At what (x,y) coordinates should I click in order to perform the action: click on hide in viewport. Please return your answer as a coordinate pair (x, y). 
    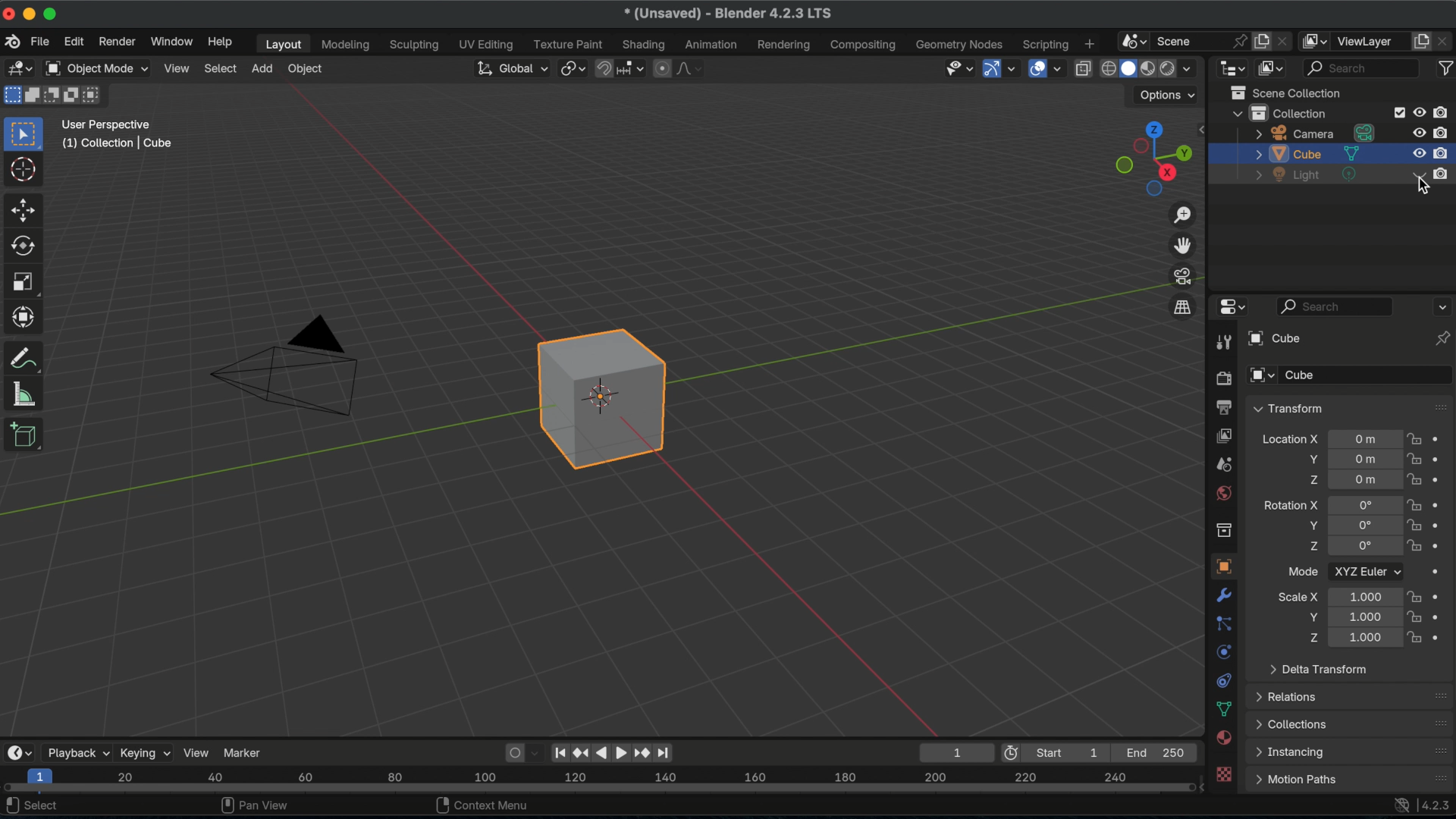
    Looking at the image, I should click on (1417, 174).